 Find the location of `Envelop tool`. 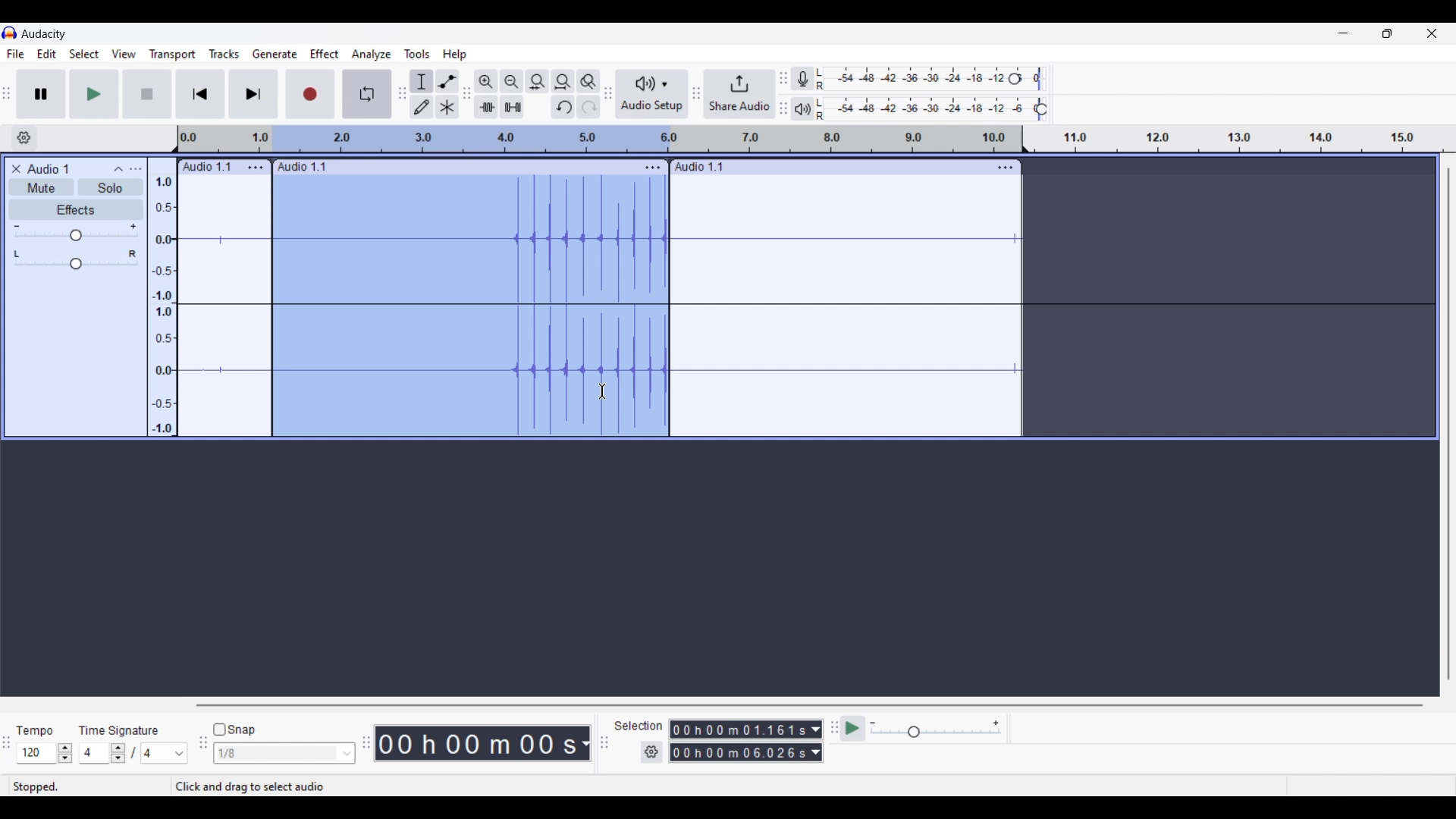

Envelop tool is located at coordinates (447, 80).